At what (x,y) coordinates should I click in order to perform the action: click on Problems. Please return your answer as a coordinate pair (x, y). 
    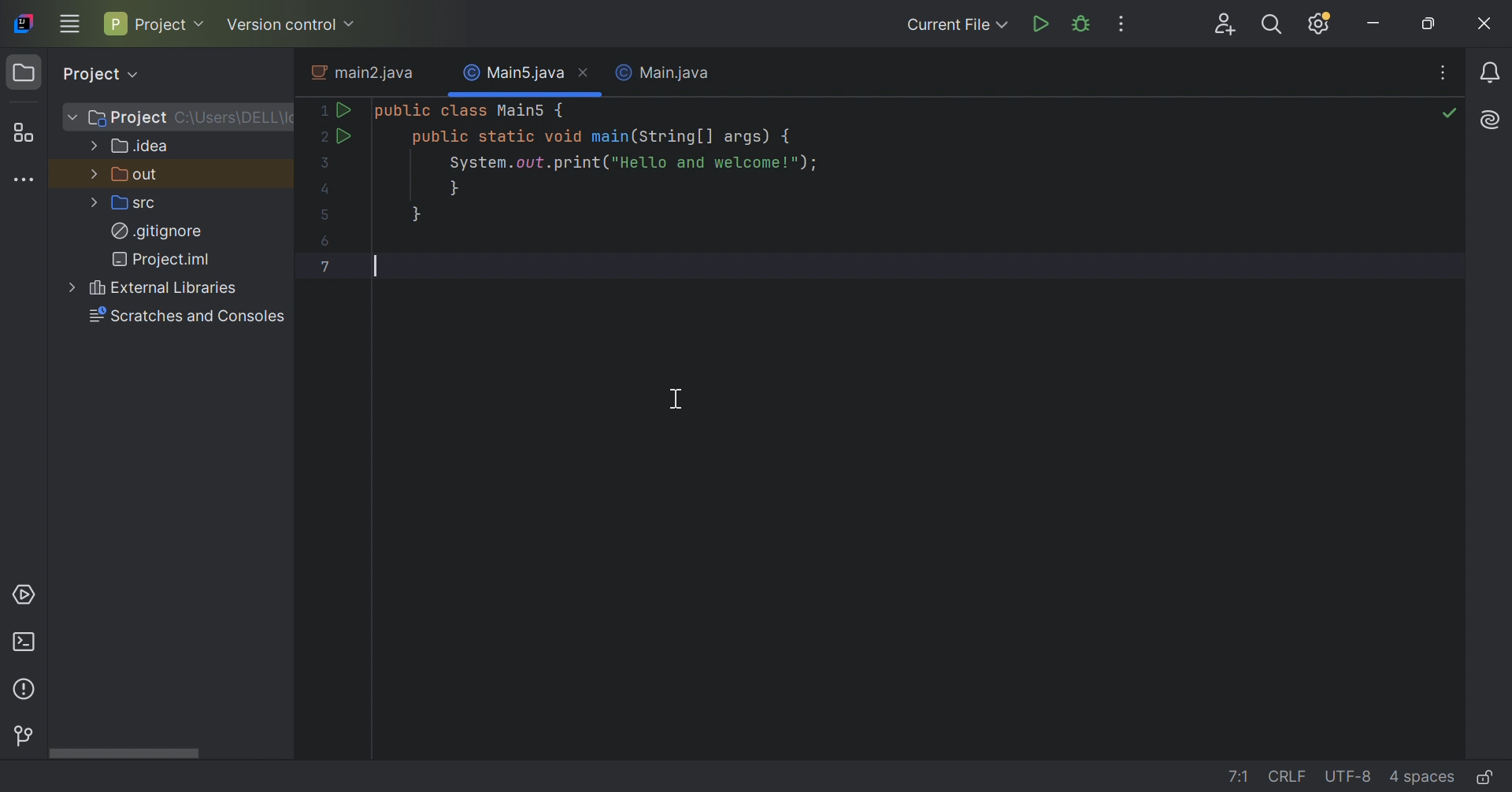
    Looking at the image, I should click on (24, 690).